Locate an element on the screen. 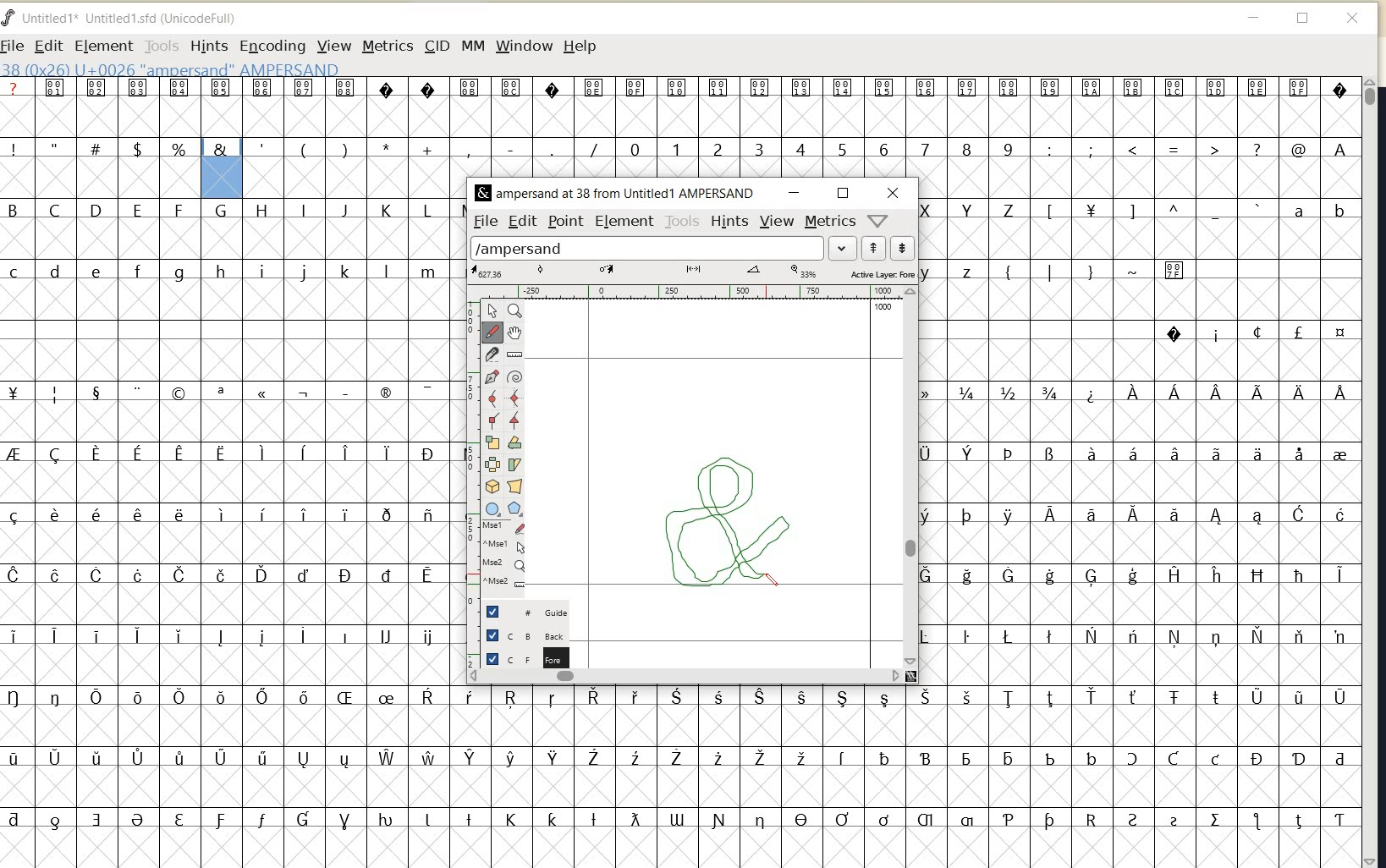  add a curve point is located at coordinates (492, 397).